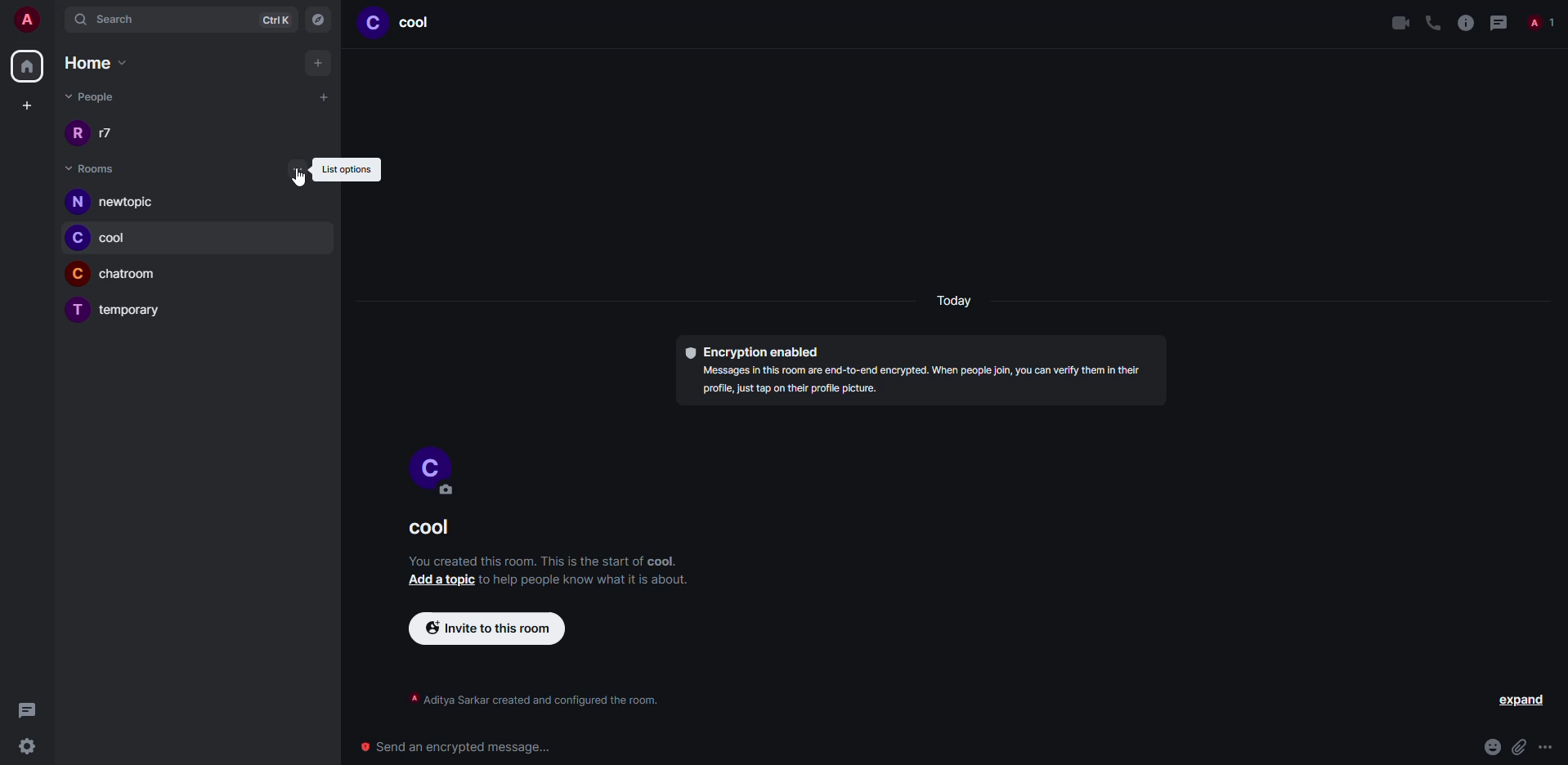 This screenshot has width=1568, height=765. Describe the element at coordinates (419, 24) in the screenshot. I see `room` at that location.